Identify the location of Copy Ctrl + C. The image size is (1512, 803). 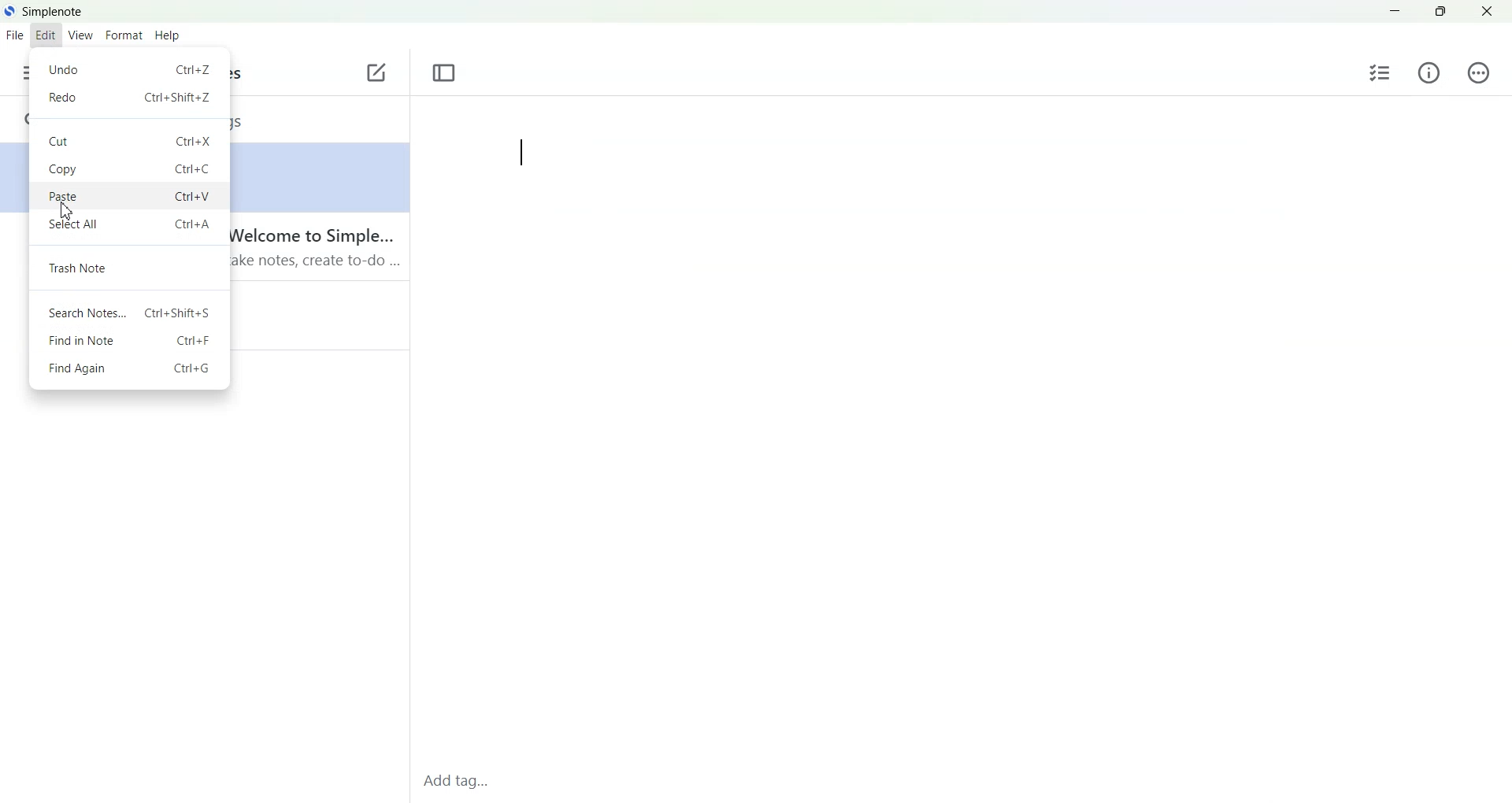
(129, 168).